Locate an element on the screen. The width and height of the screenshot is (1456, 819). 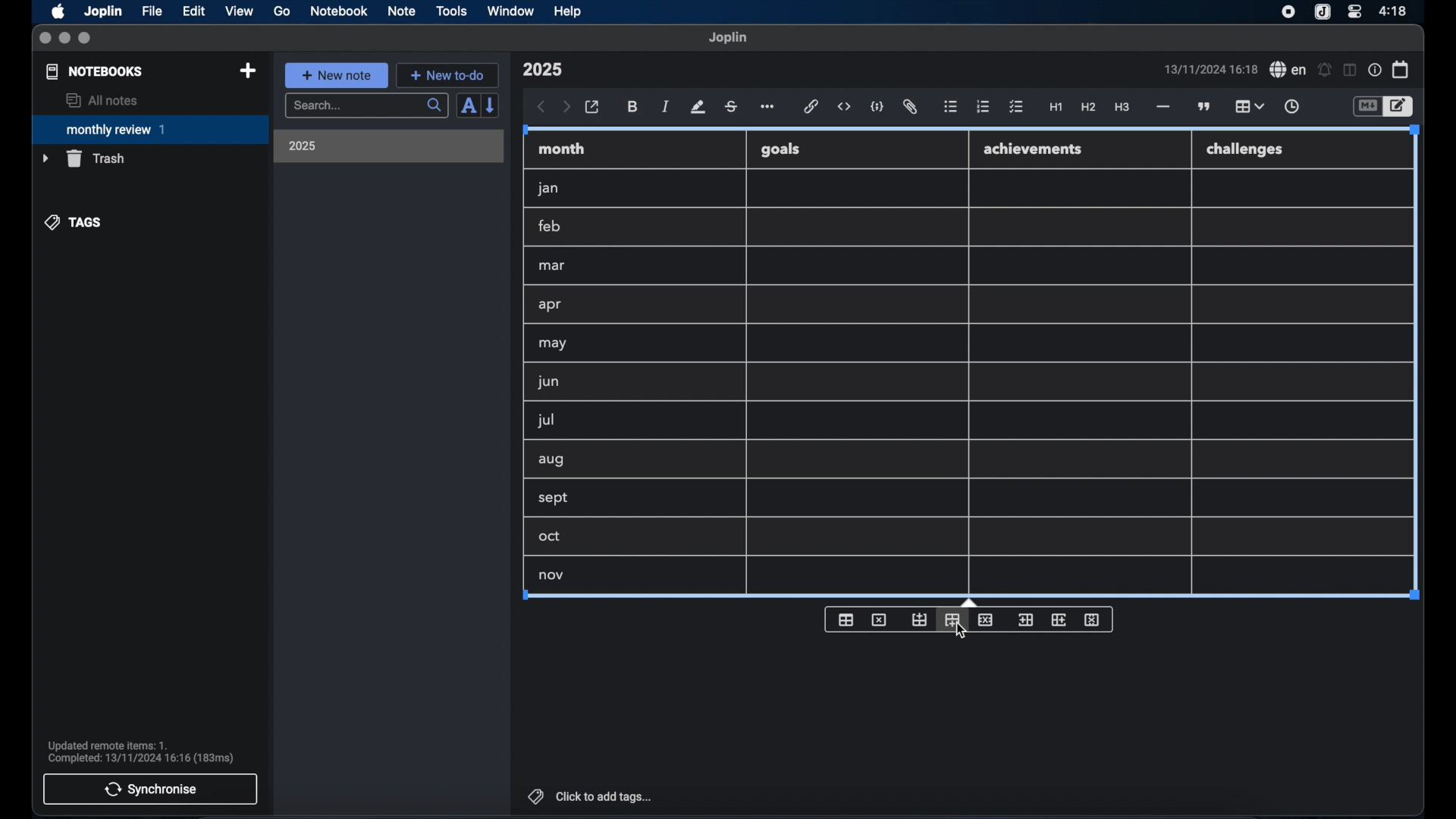
apr is located at coordinates (551, 305).